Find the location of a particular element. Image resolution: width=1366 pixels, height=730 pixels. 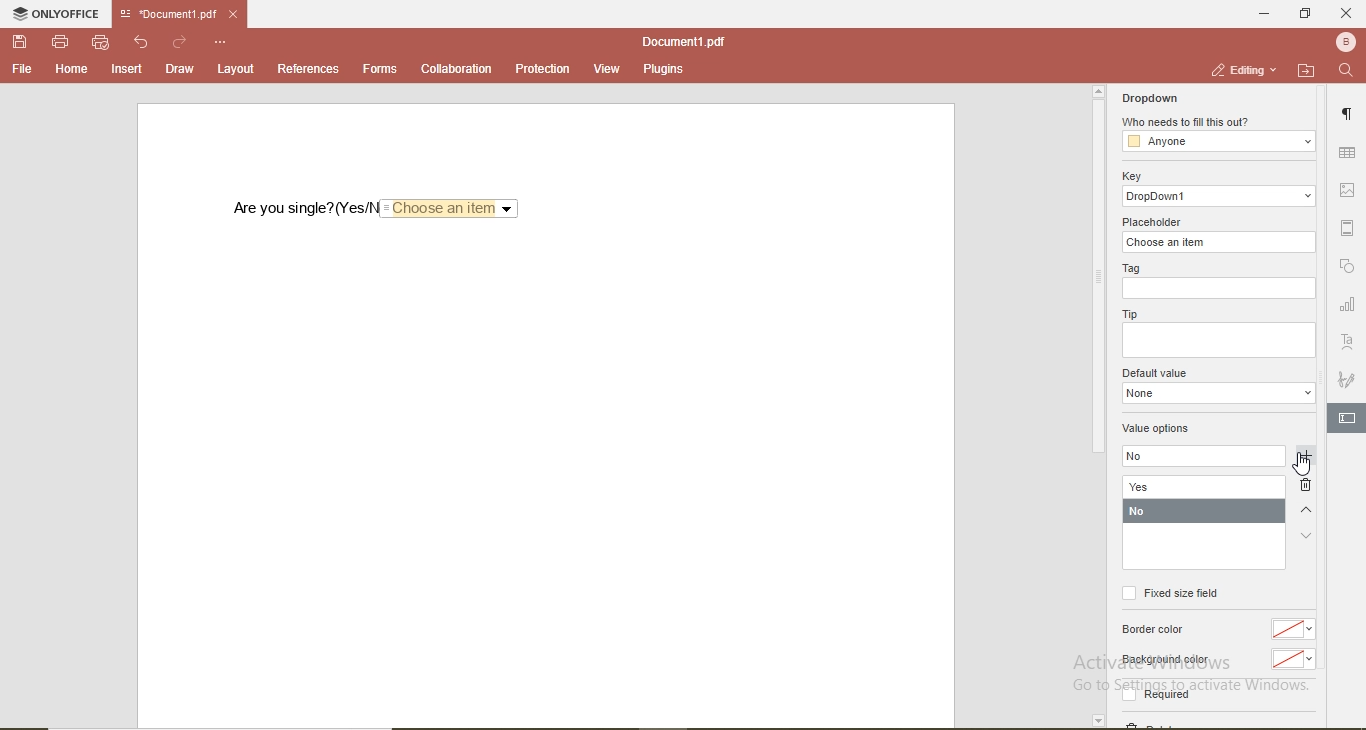

insert is located at coordinates (127, 71).